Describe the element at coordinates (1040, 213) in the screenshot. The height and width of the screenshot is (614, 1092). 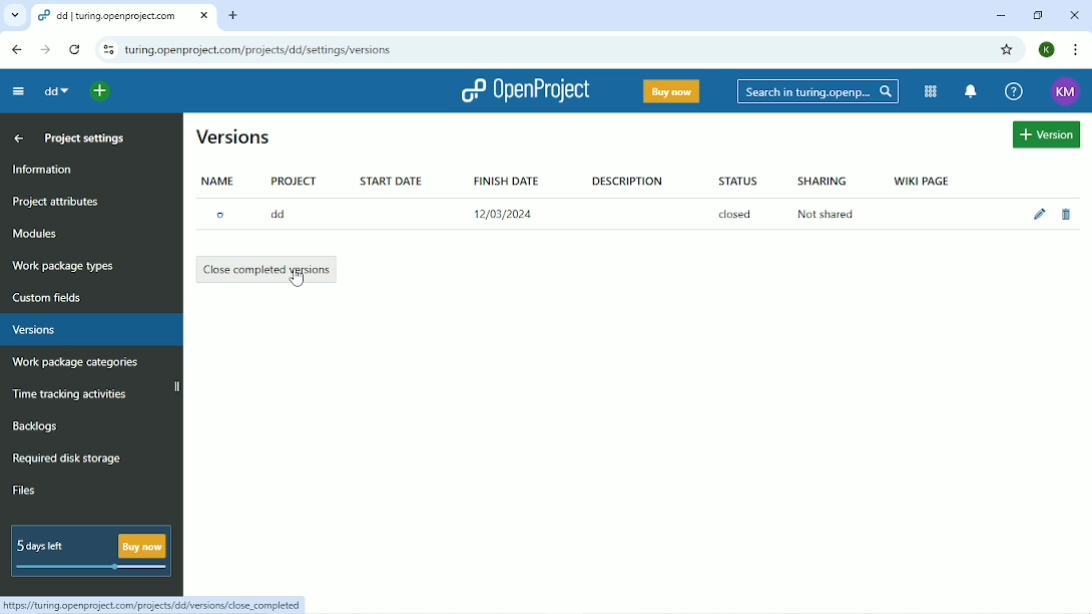
I see `Edit` at that location.